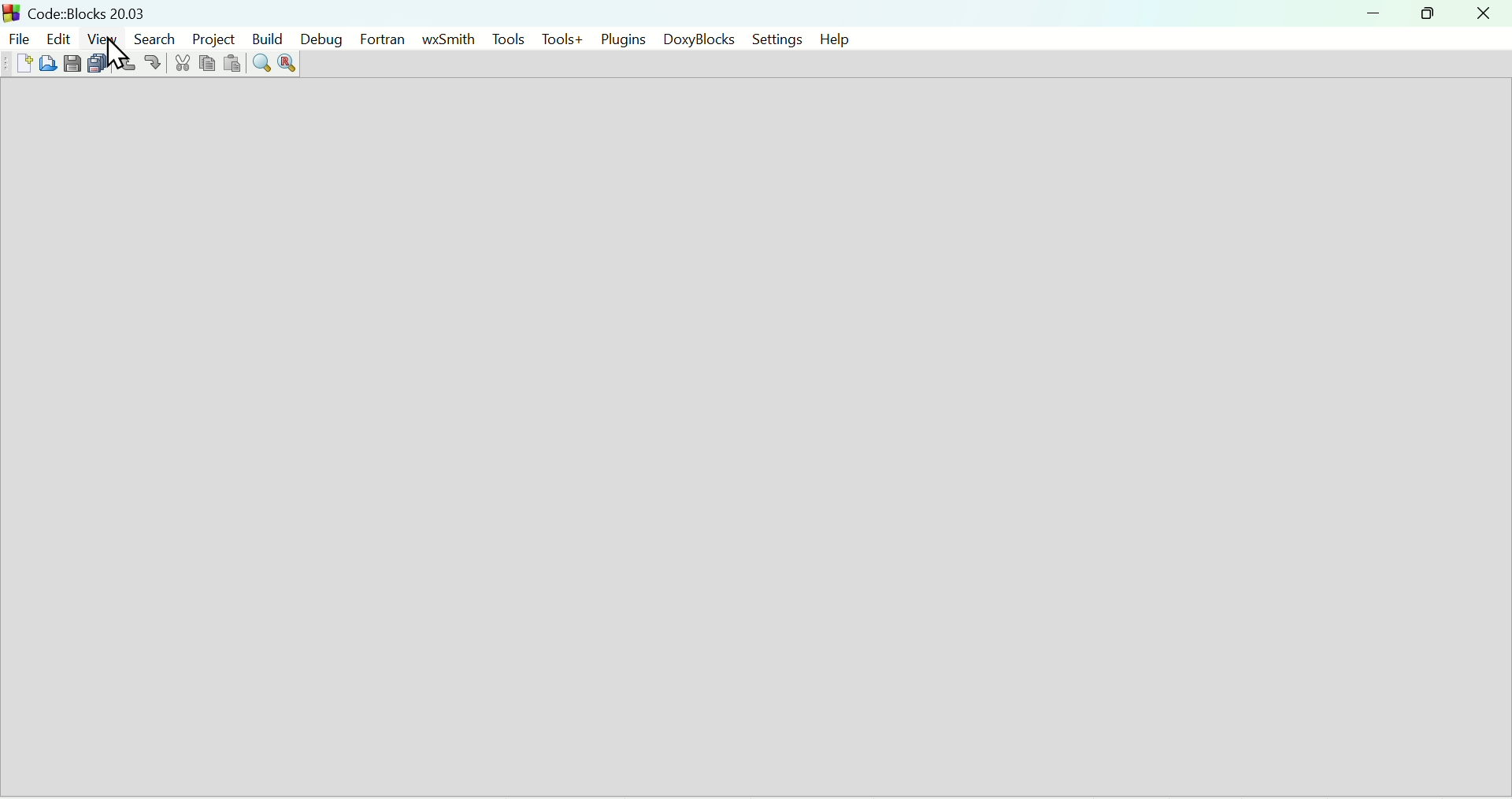  What do you see at coordinates (264, 40) in the screenshot?
I see `Build` at bounding box center [264, 40].